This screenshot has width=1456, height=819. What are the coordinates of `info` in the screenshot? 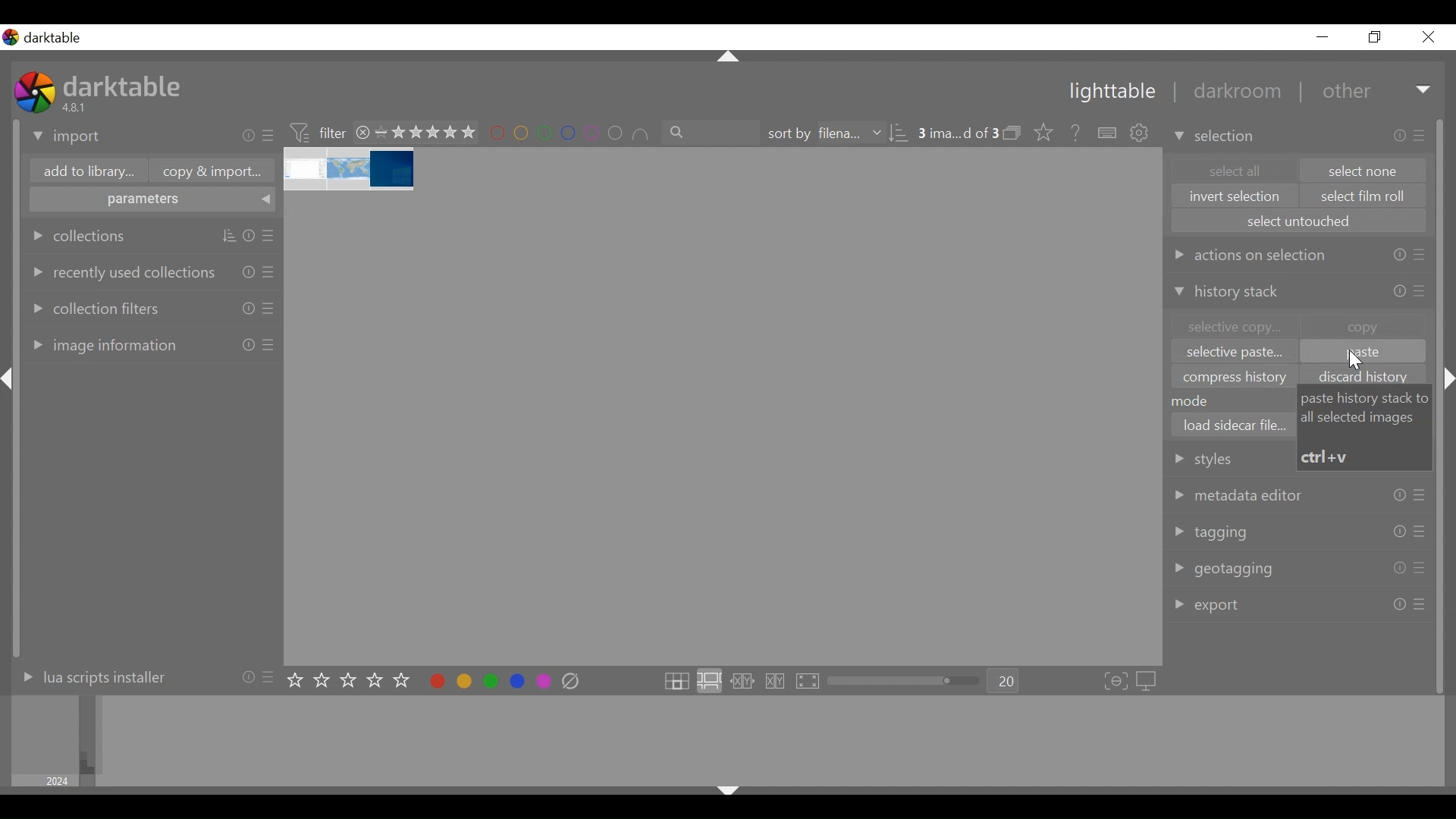 It's located at (1398, 569).